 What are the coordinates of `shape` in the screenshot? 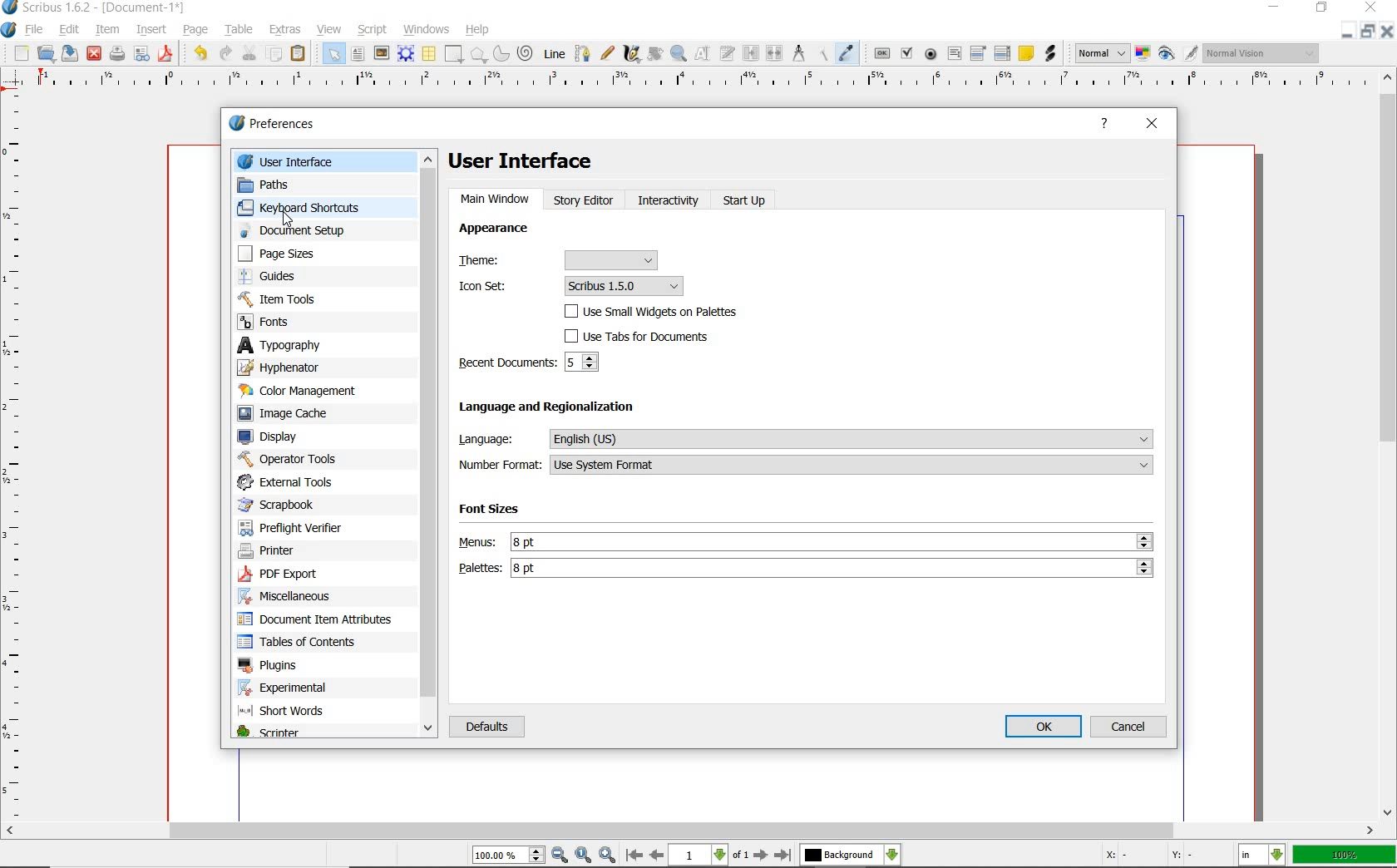 It's located at (455, 54).